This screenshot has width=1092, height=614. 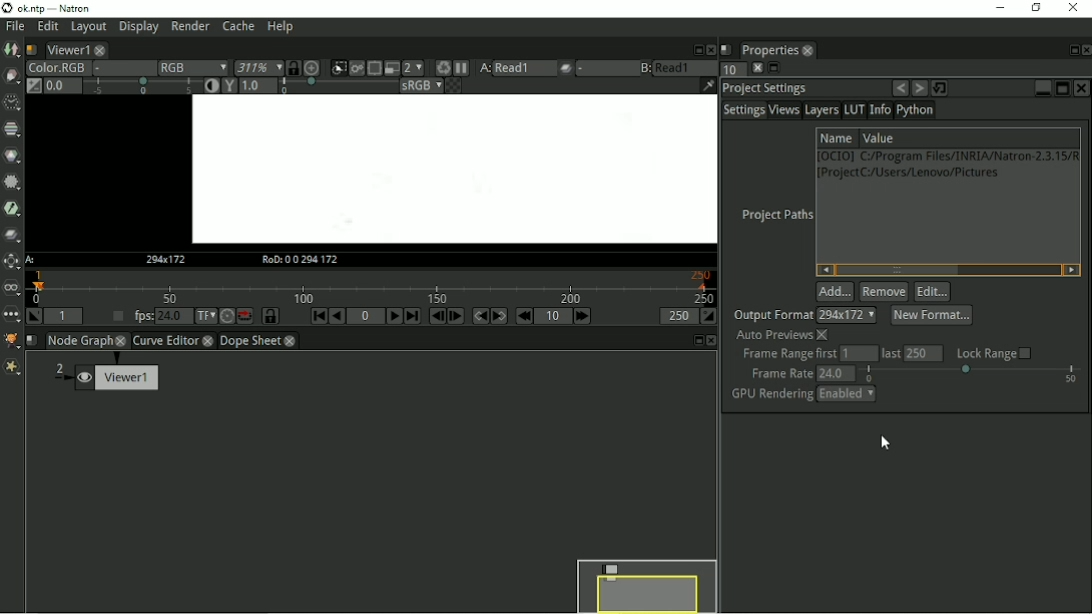 What do you see at coordinates (1072, 8) in the screenshot?
I see `Close` at bounding box center [1072, 8].